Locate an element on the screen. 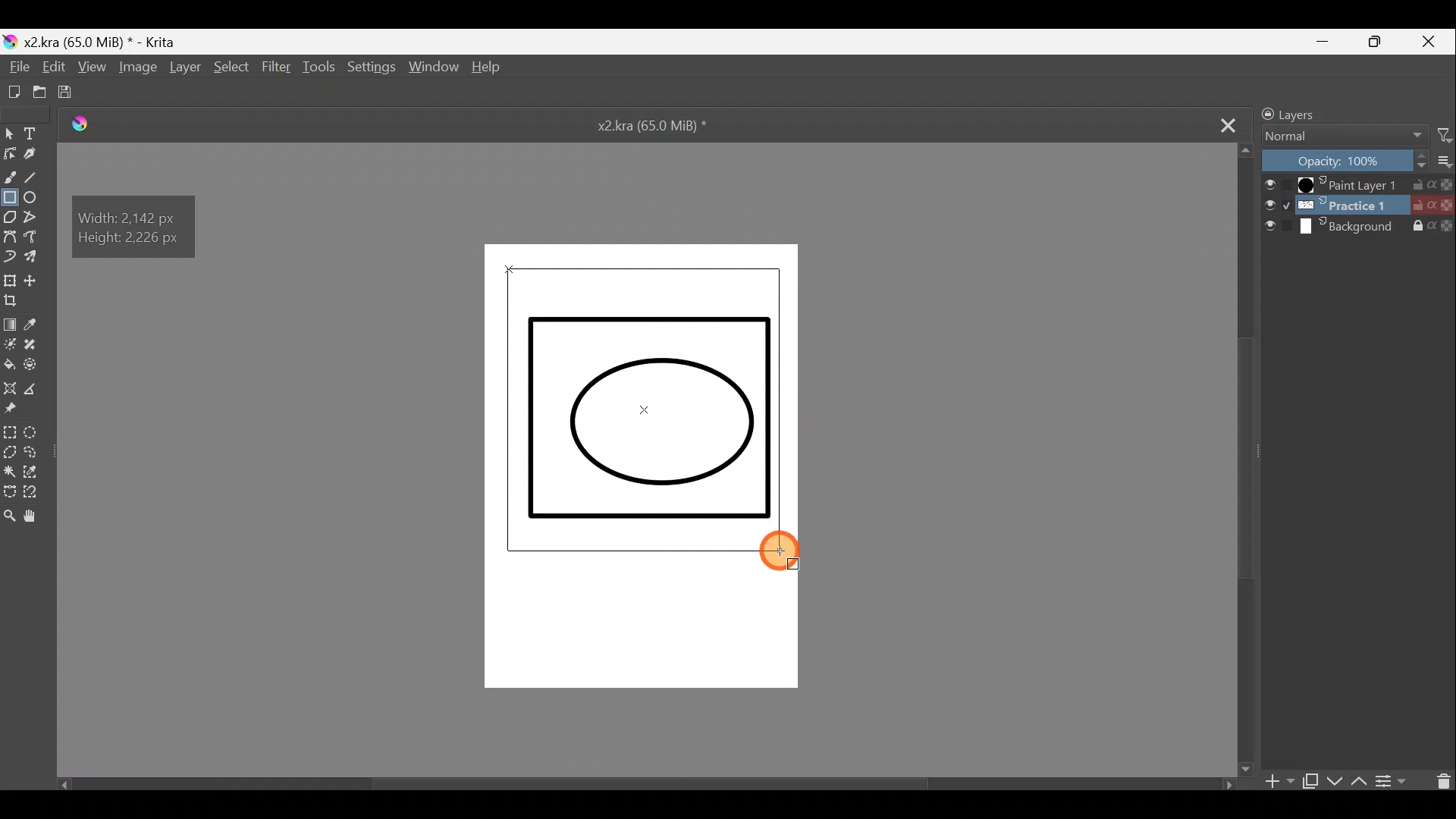 The image size is (1456, 819). Smart patch tool is located at coordinates (36, 346).